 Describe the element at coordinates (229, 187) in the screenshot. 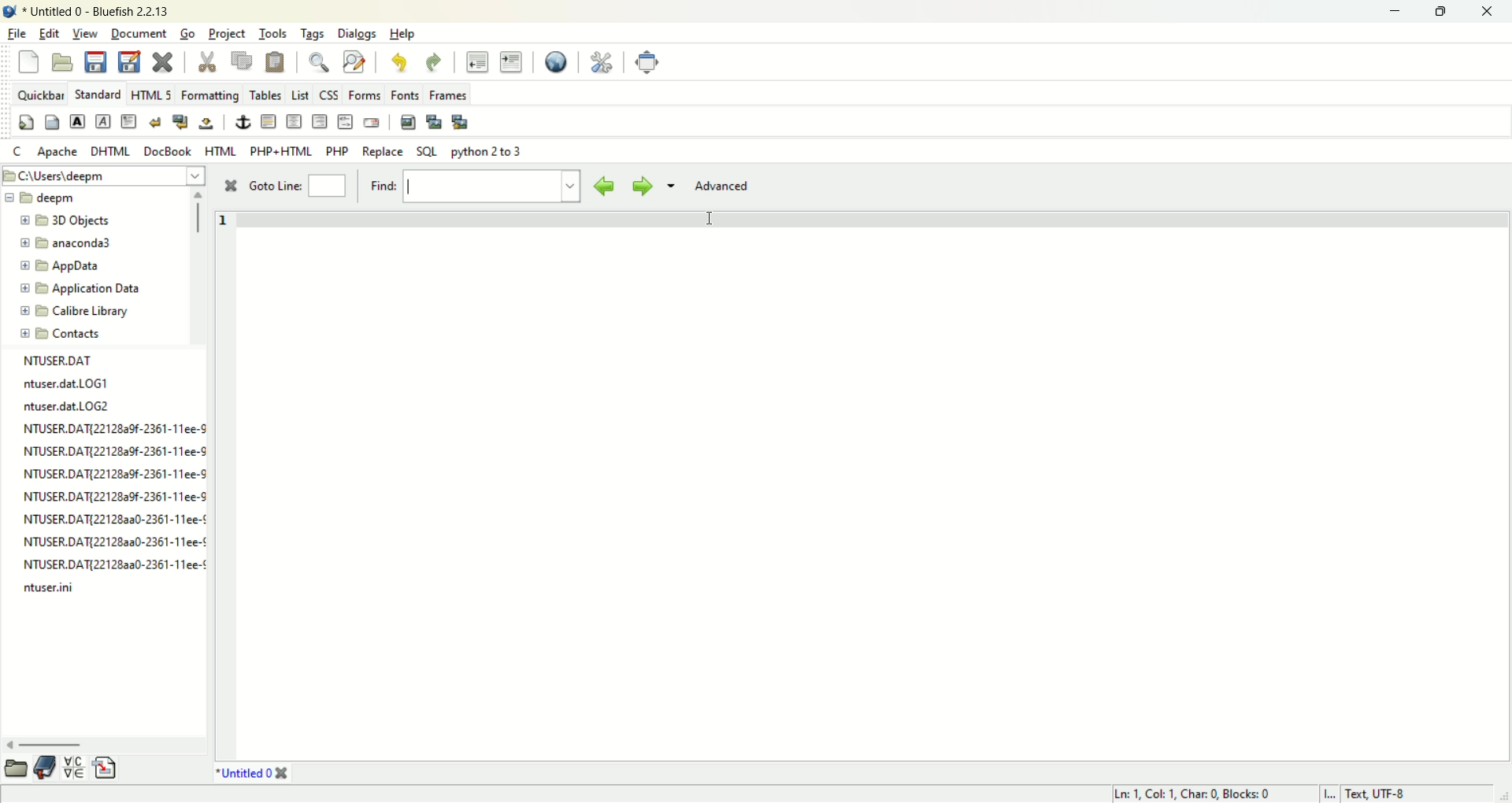

I see `close` at that location.